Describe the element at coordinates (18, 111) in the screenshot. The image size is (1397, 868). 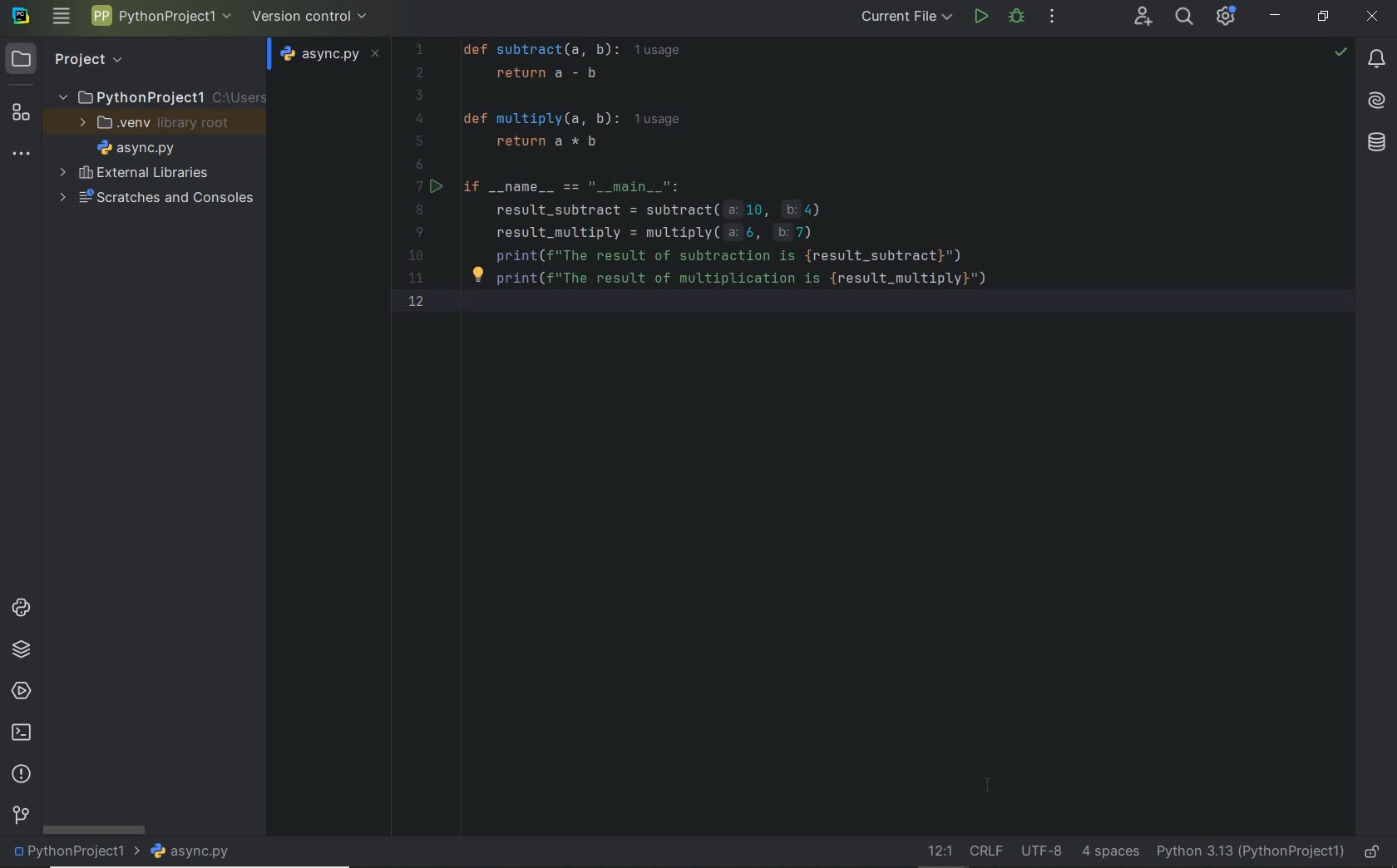
I see `structure` at that location.